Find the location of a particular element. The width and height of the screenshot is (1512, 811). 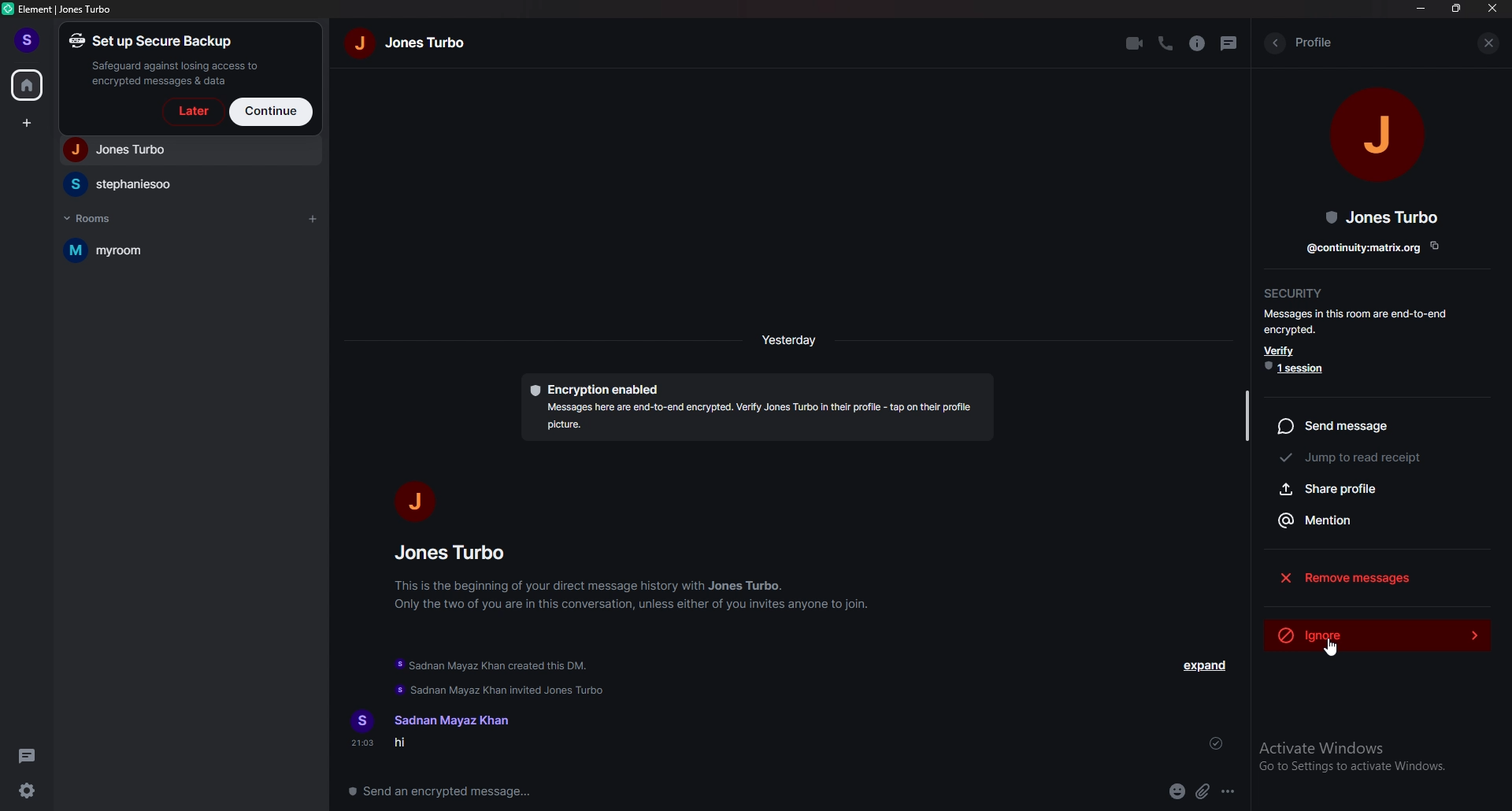

set up a secure backup is located at coordinates (169, 59).